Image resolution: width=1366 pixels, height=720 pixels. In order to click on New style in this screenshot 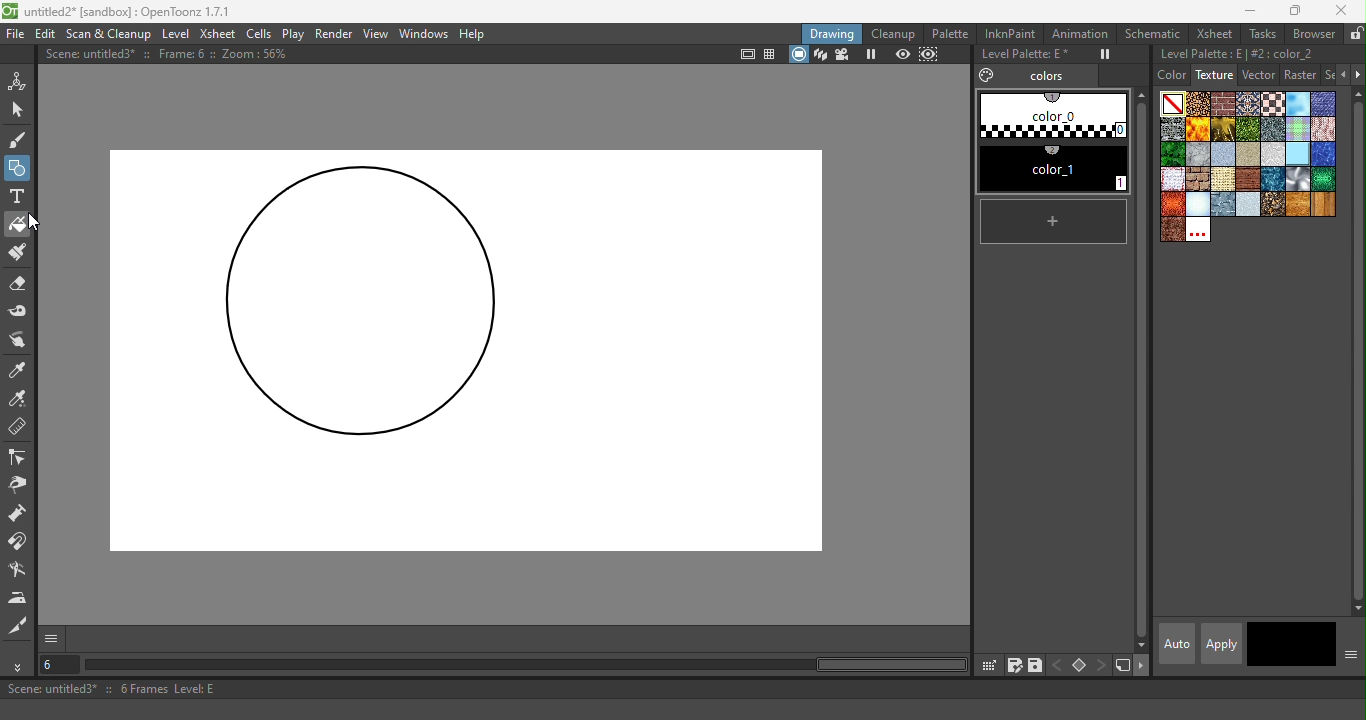, I will do `click(1048, 222)`.